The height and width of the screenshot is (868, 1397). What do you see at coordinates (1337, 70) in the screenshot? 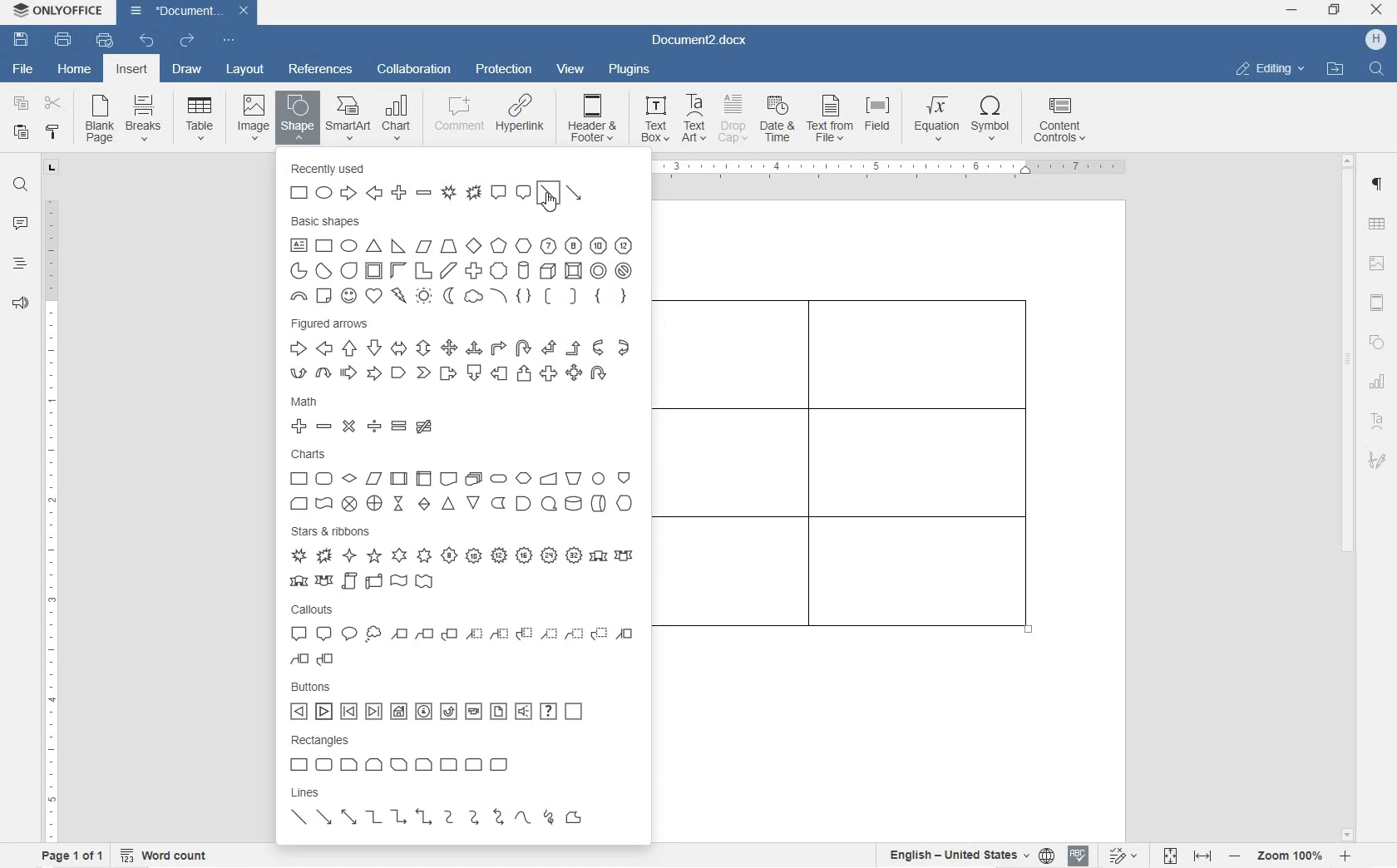
I see `OPEN FILE LOCATION` at bounding box center [1337, 70].